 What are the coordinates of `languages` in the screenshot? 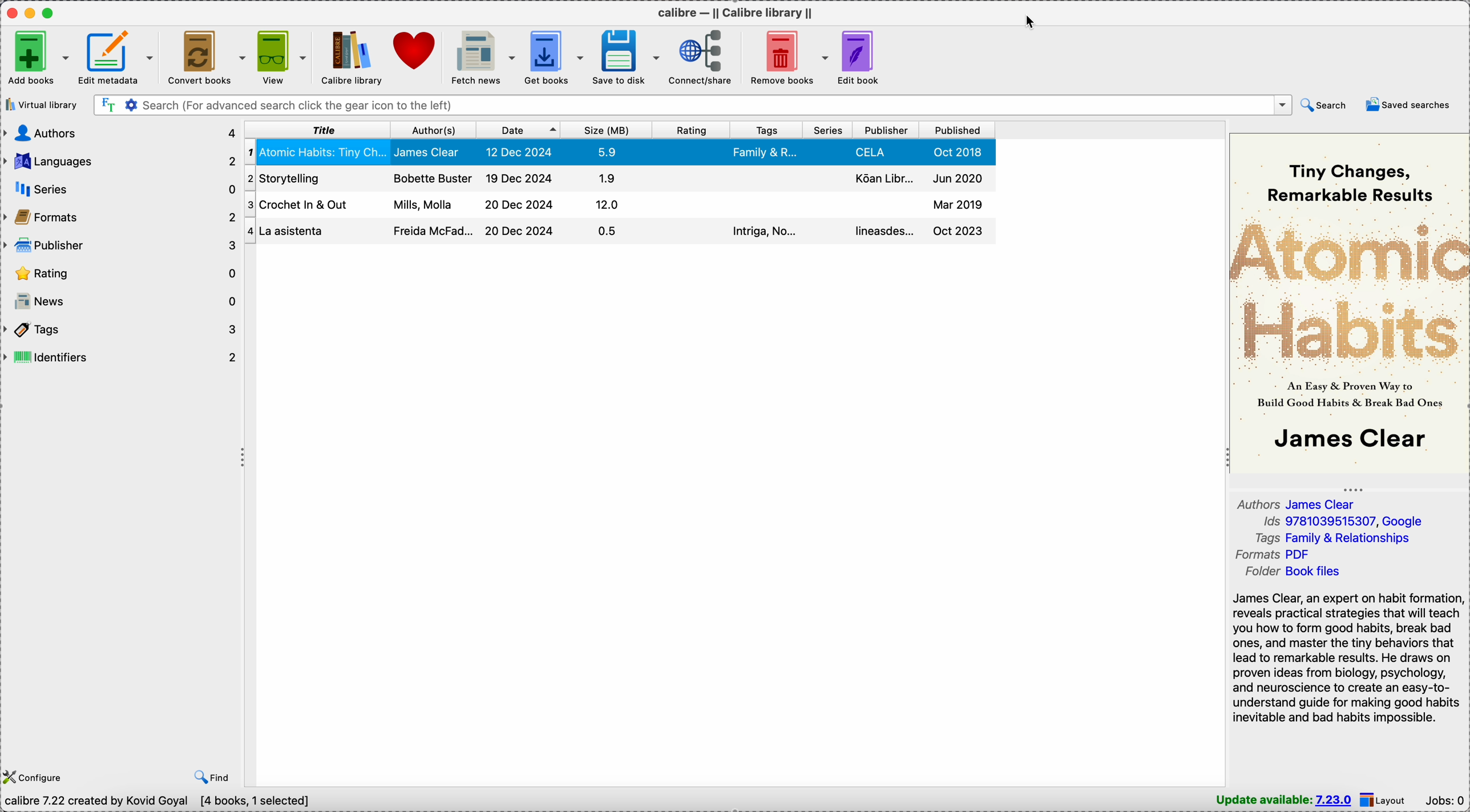 It's located at (122, 159).